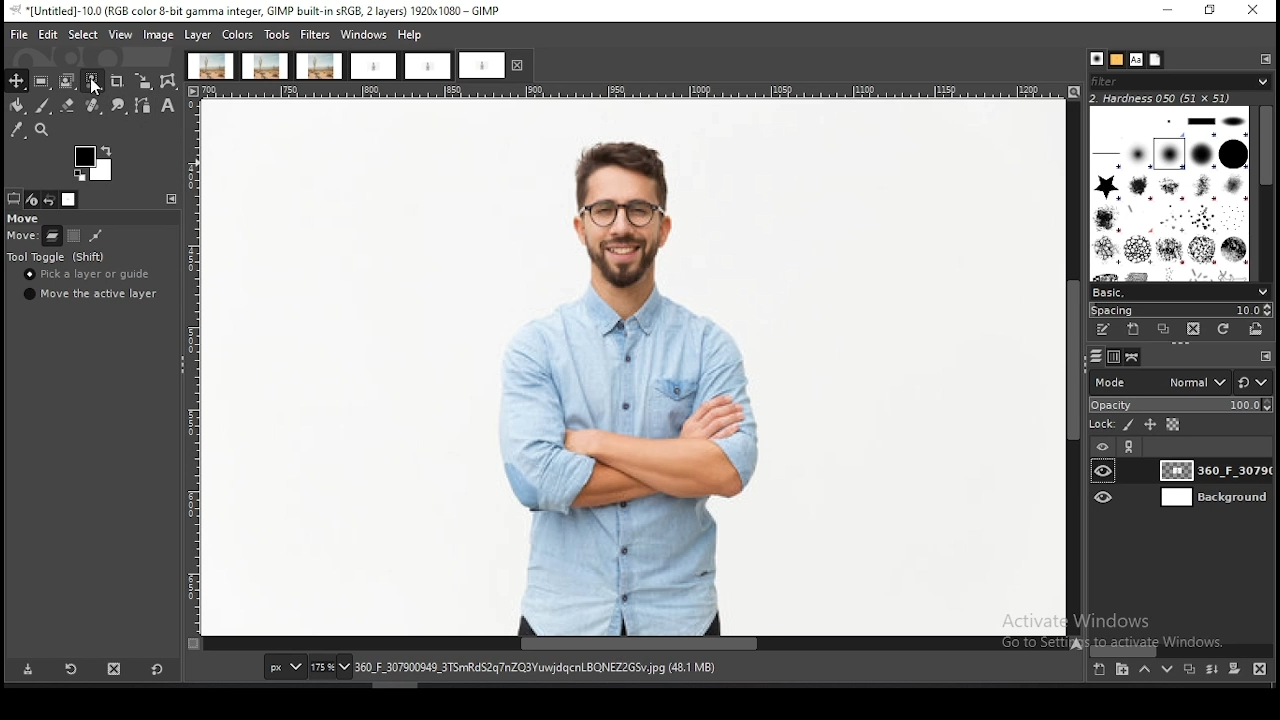 The image size is (1280, 720). What do you see at coordinates (1135, 357) in the screenshot?
I see `paths` at bounding box center [1135, 357].